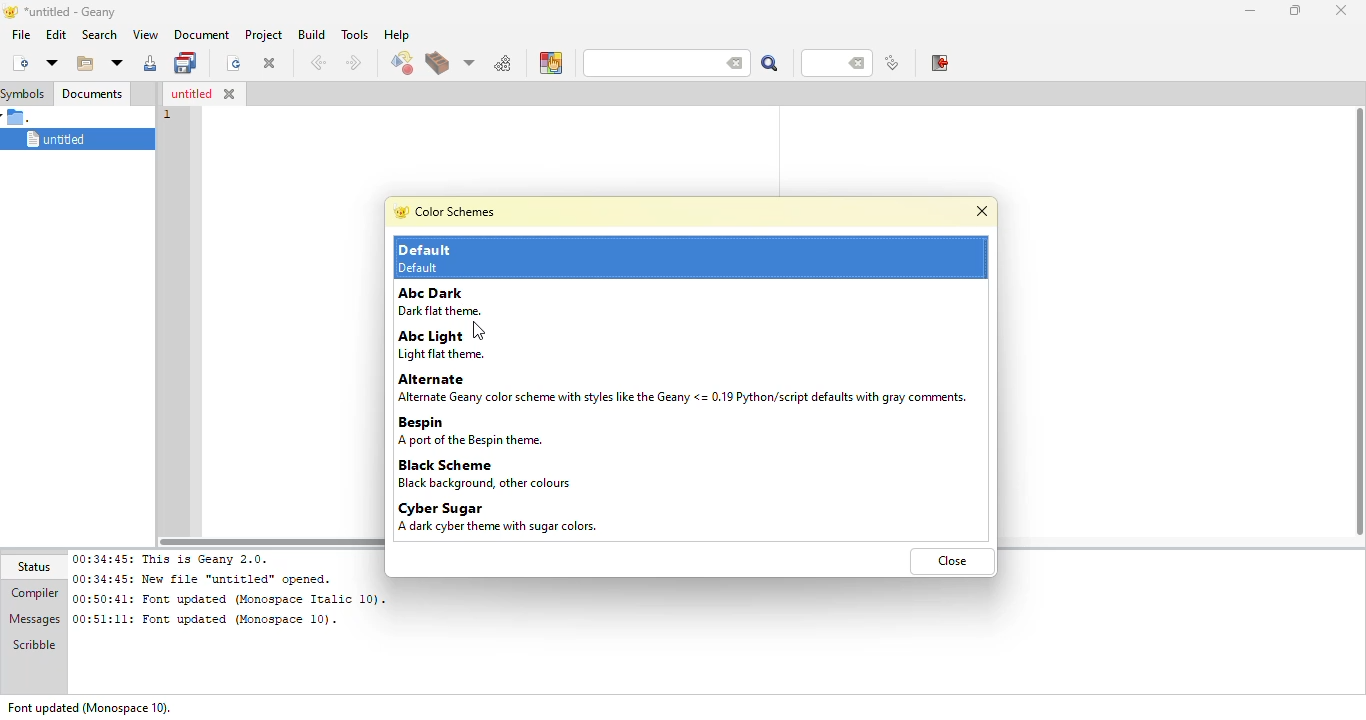 Image resolution: width=1366 pixels, height=720 pixels. Describe the element at coordinates (859, 64) in the screenshot. I see `back space` at that location.